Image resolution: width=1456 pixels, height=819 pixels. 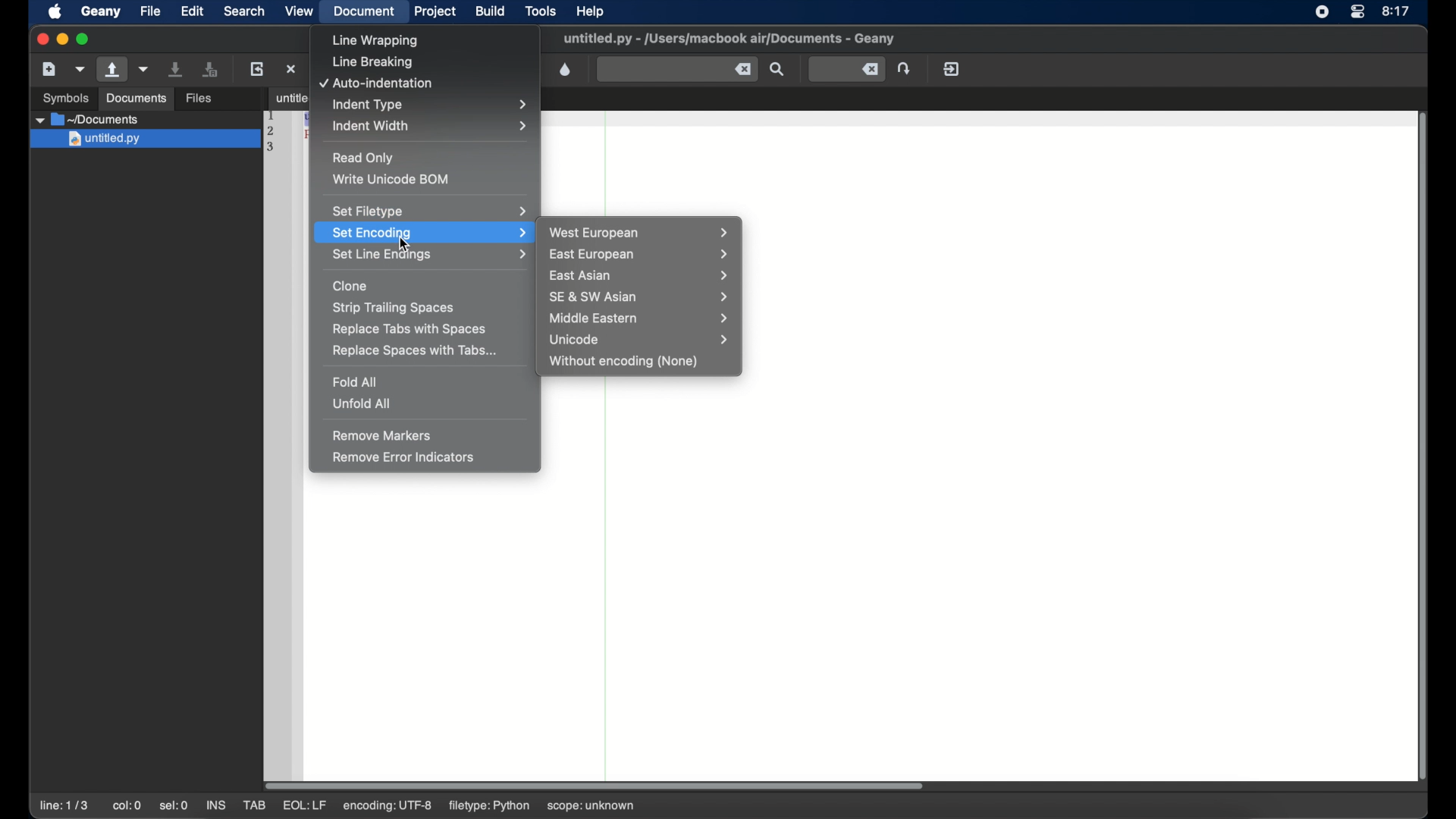 I want to click on filetype: python, so click(x=491, y=806).